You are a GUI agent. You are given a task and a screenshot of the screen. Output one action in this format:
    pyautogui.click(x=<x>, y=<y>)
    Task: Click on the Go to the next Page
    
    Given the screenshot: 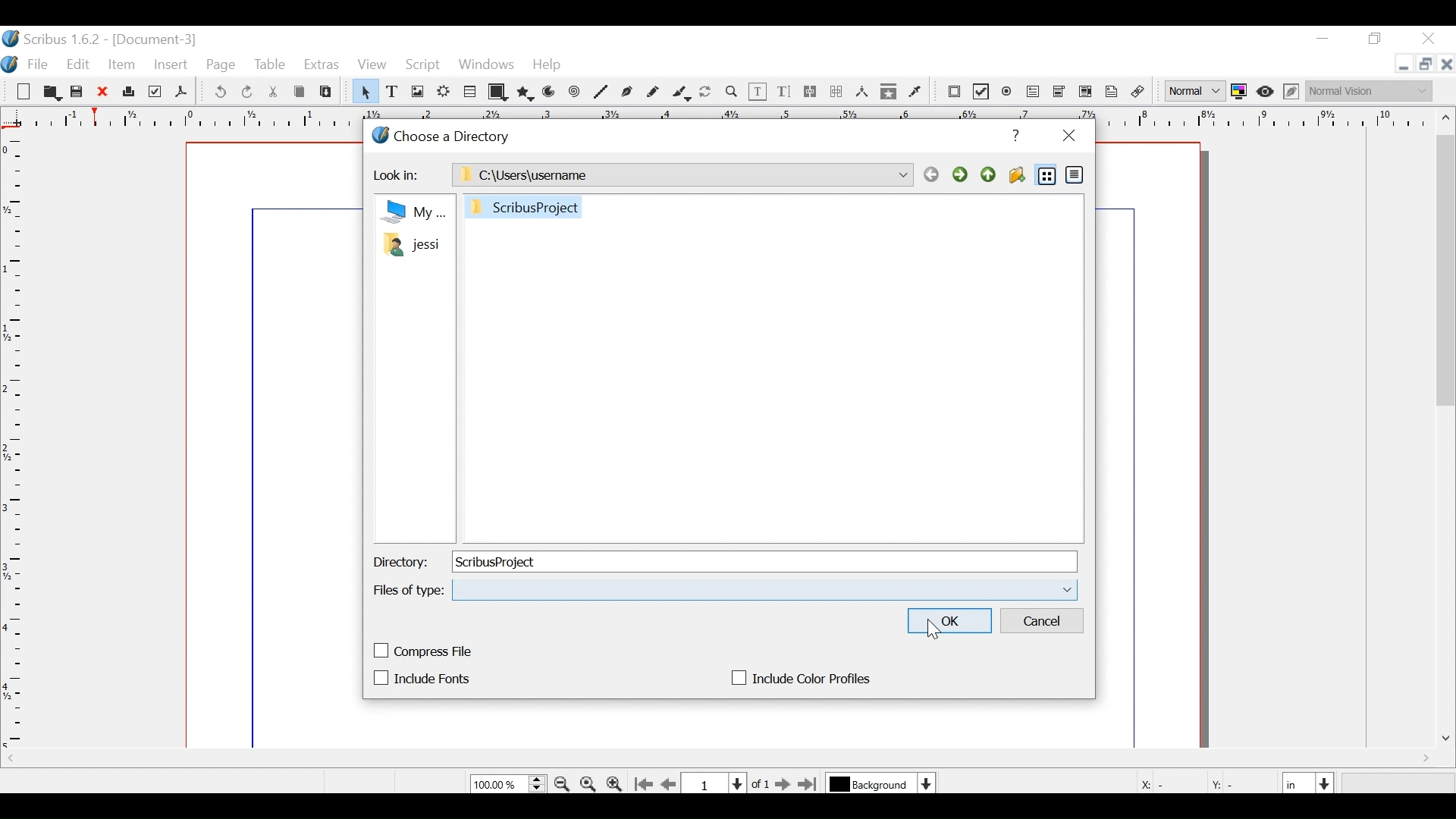 What is the action you would take?
    pyautogui.click(x=779, y=784)
    